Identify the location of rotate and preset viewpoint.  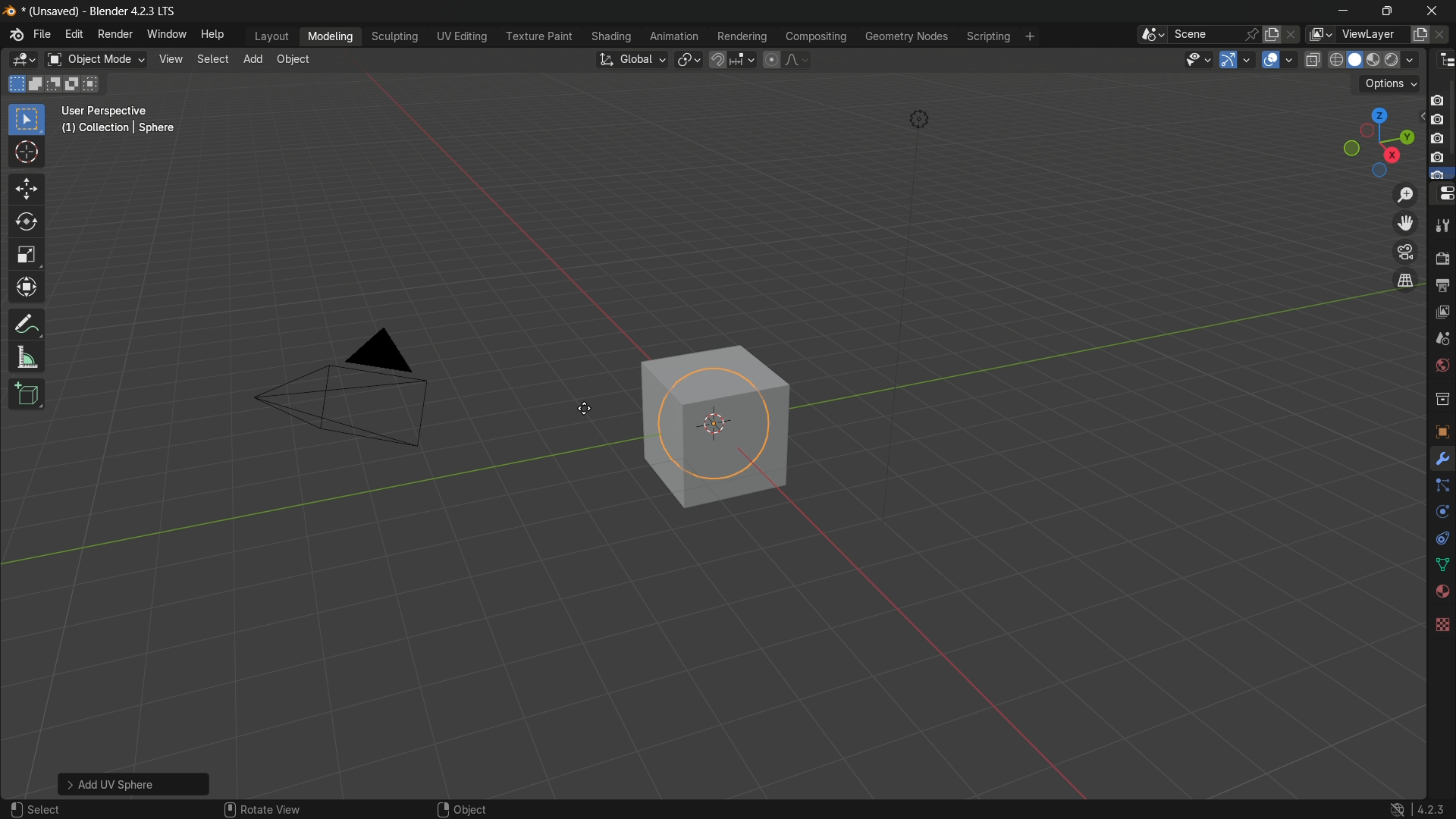
(1375, 140).